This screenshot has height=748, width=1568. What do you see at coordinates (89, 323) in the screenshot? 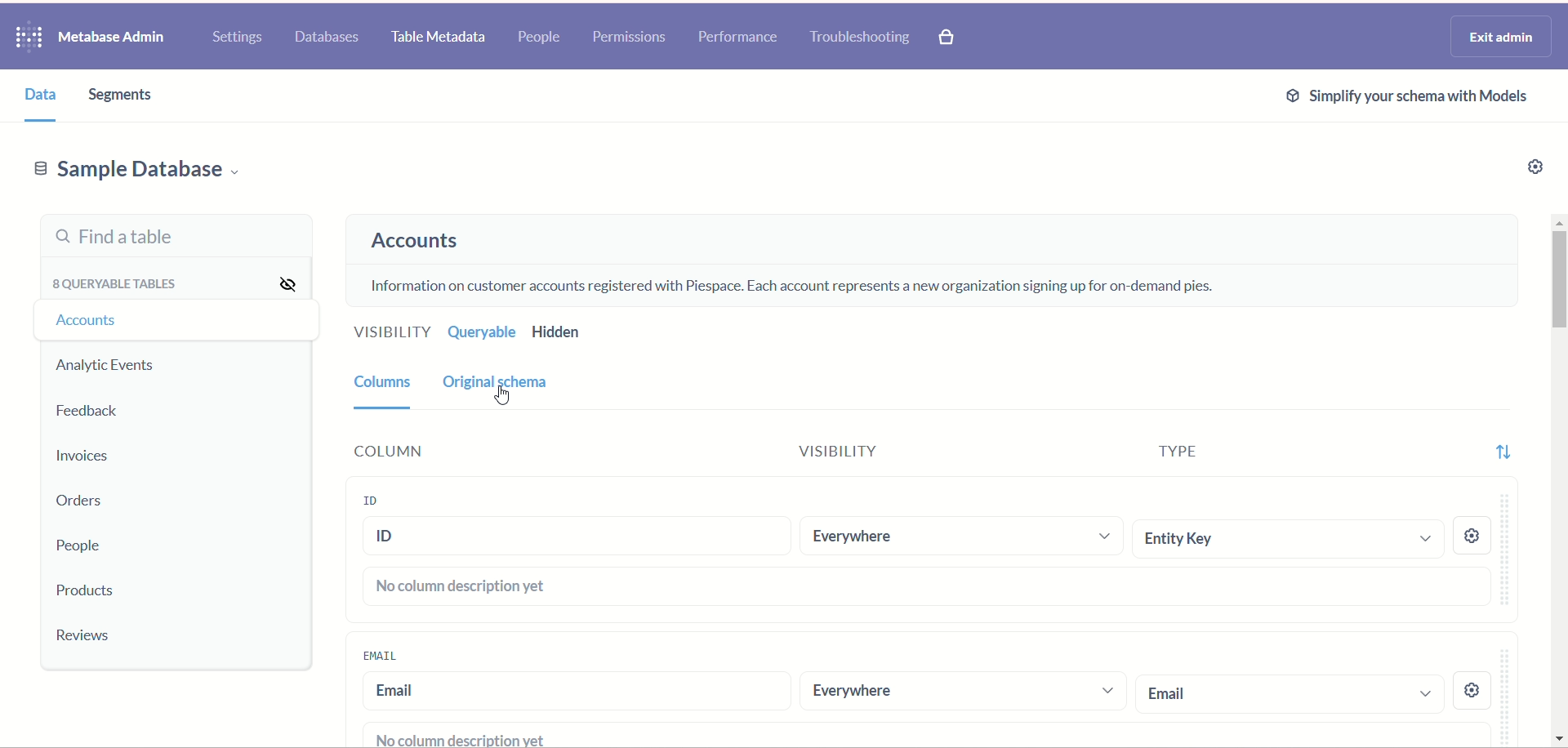
I see `ccounts` at bounding box center [89, 323].